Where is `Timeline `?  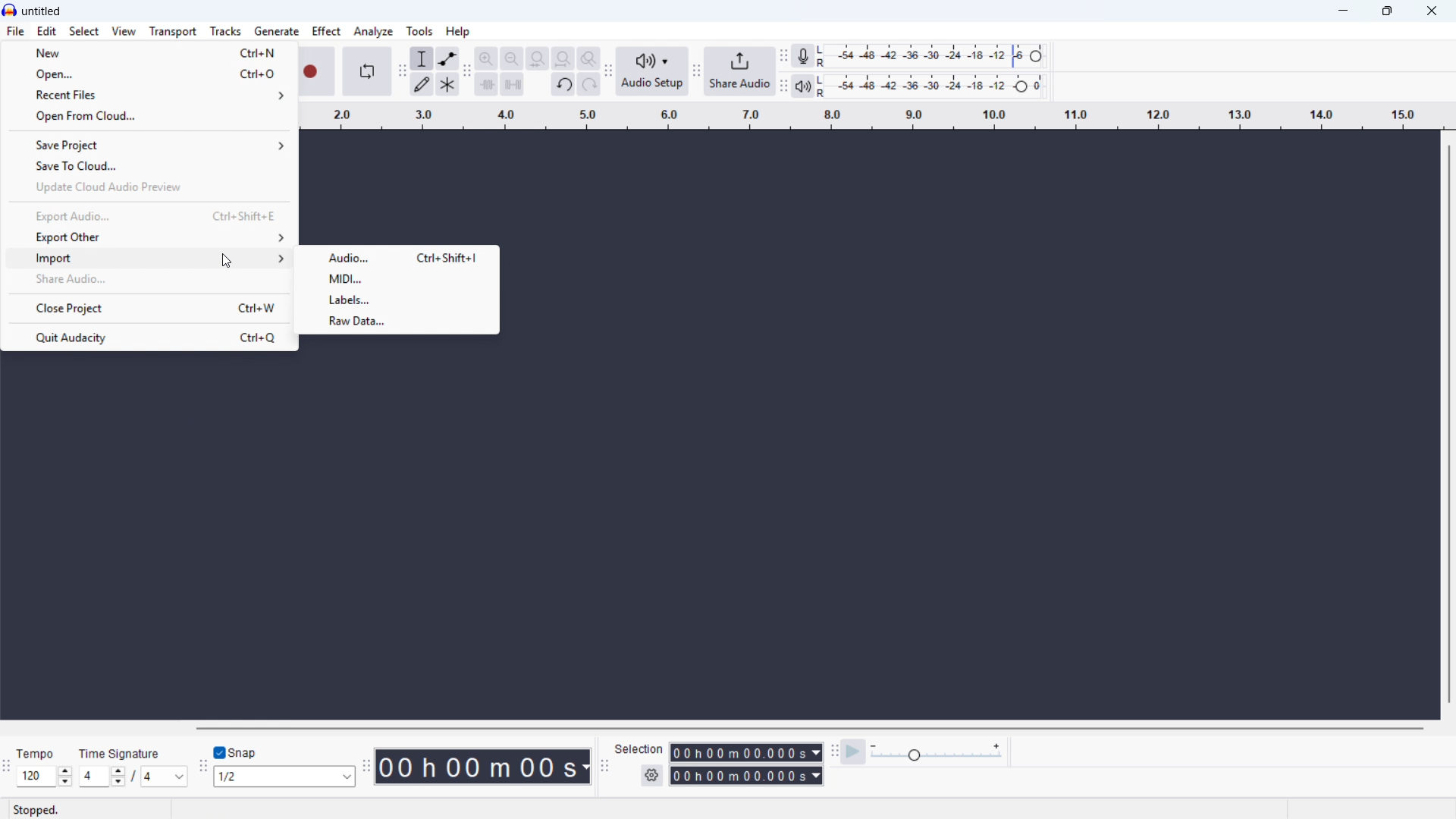 Timeline  is located at coordinates (874, 116).